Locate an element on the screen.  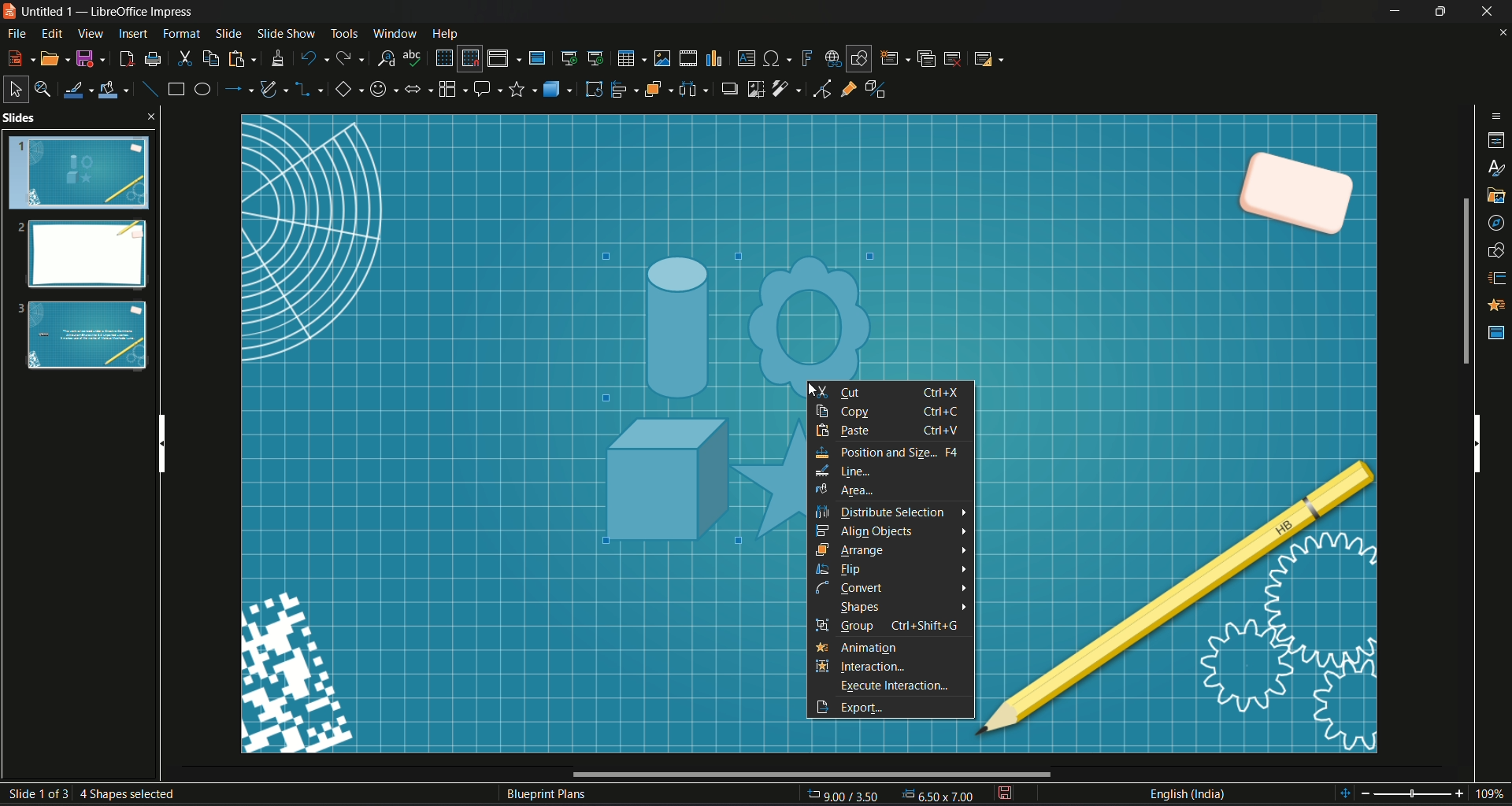
select is located at coordinates (13, 89).